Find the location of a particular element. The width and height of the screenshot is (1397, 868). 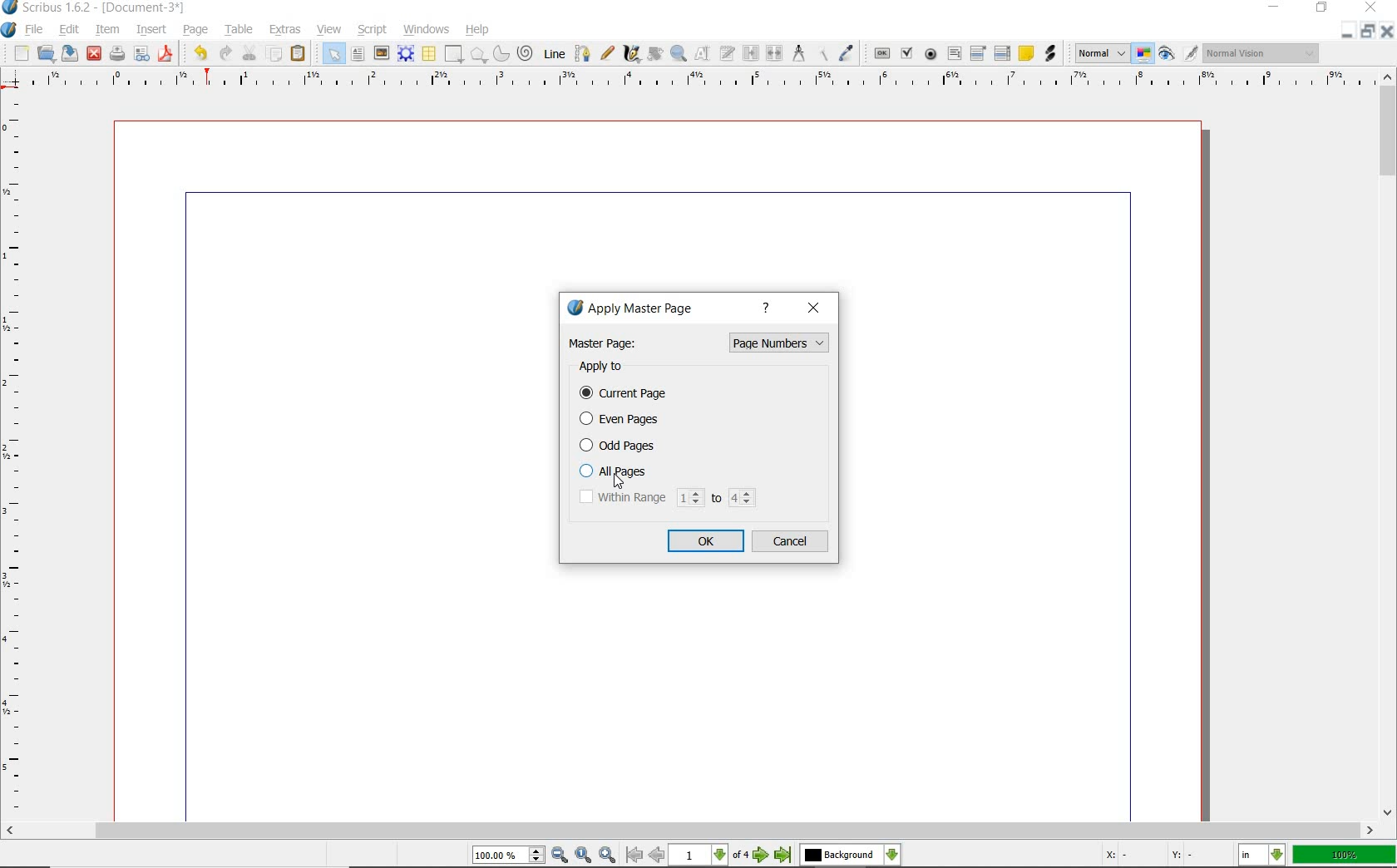

link text frames is located at coordinates (753, 53).